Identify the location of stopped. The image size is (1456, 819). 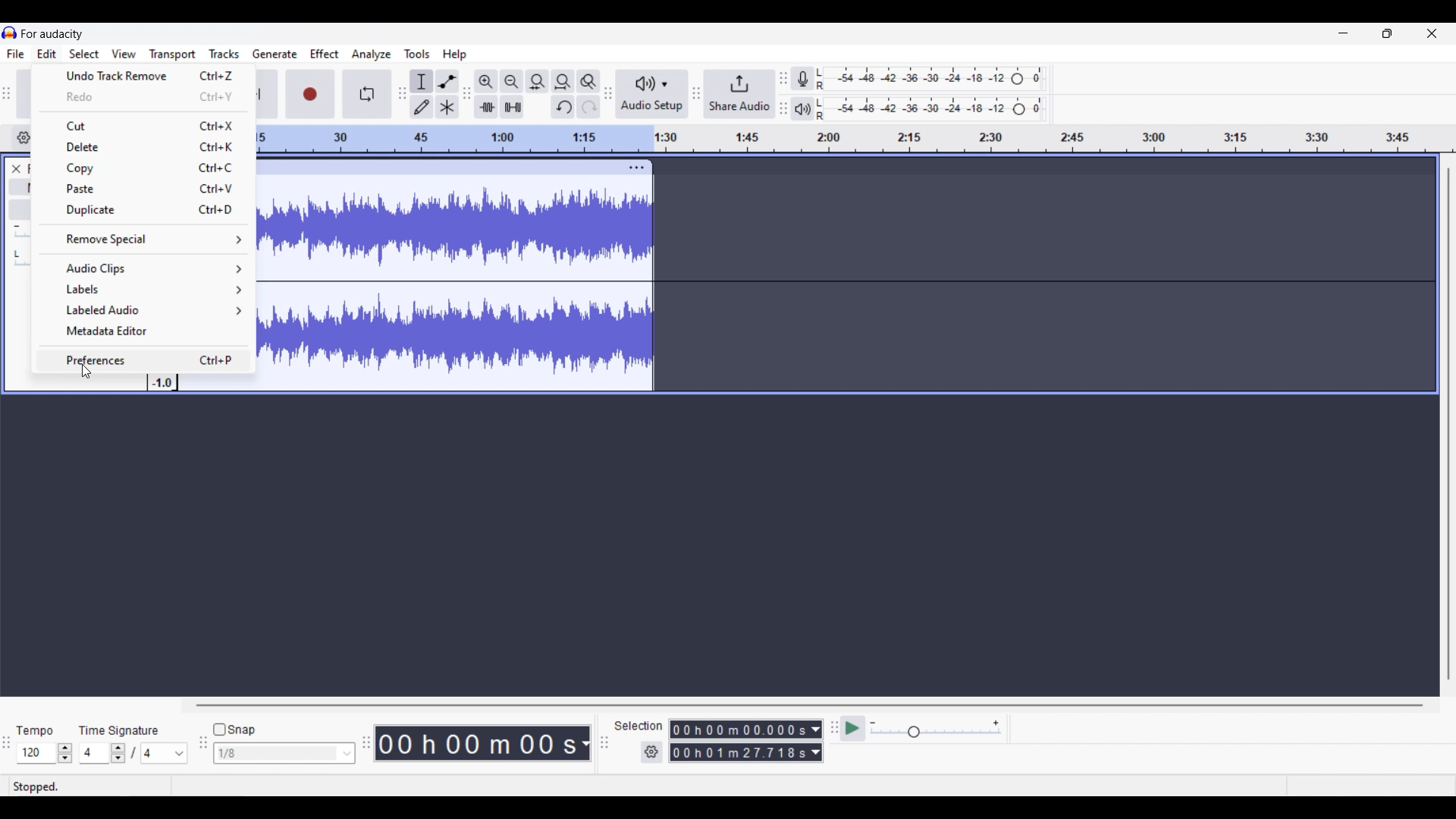
(36, 786).